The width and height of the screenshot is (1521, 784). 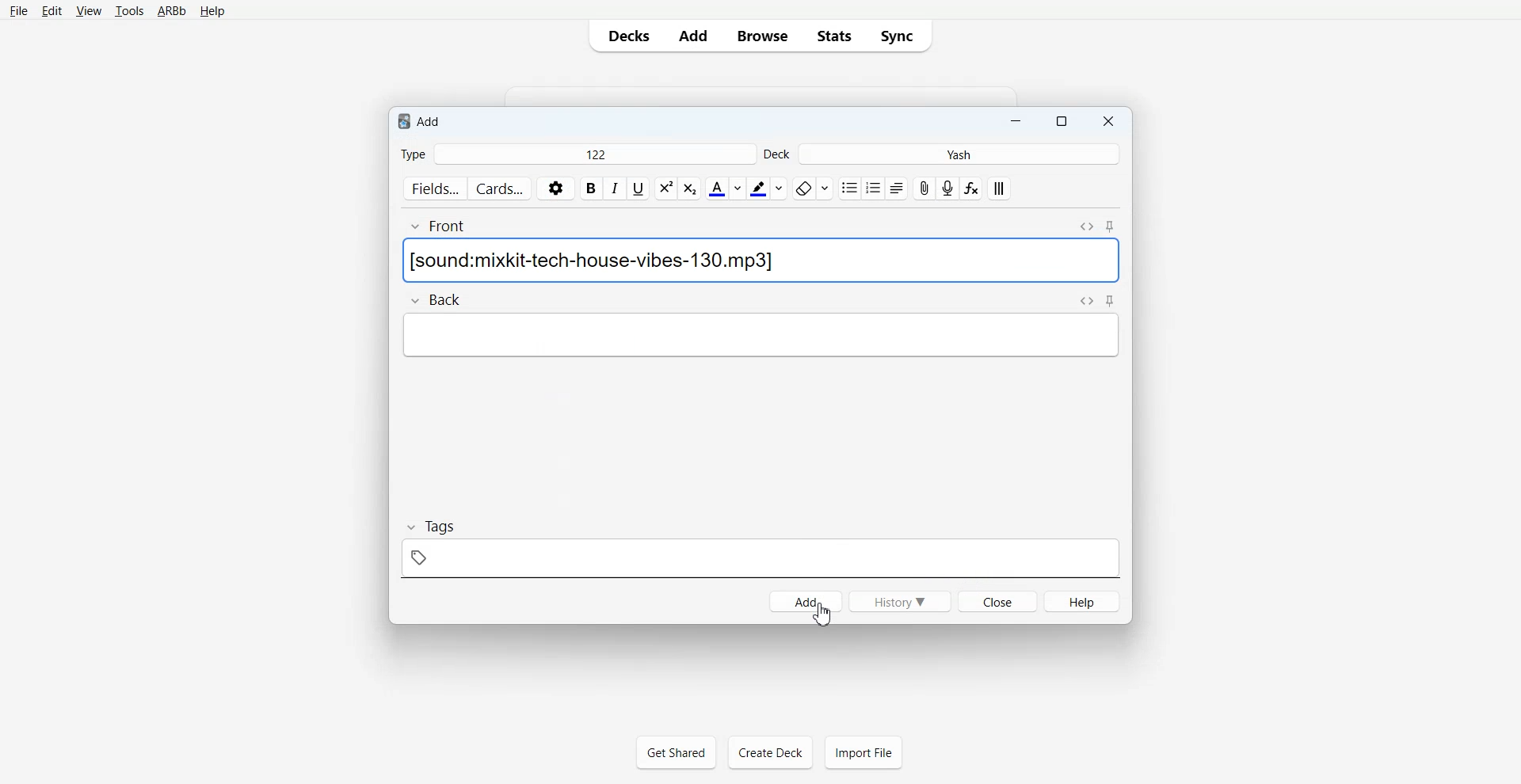 What do you see at coordinates (1099, 223) in the screenshot?
I see `navigate` at bounding box center [1099, 223].